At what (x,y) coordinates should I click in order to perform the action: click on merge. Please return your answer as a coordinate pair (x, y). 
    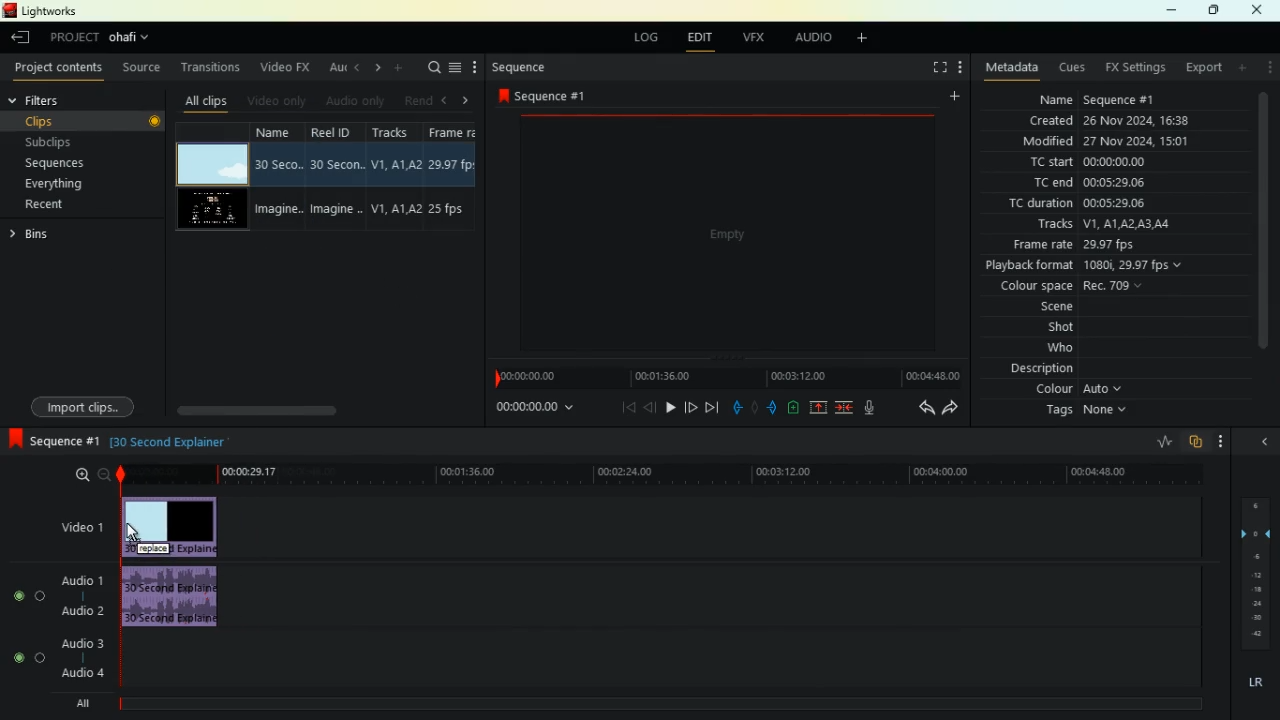
    Looking at the image, I should click on (843, 407).